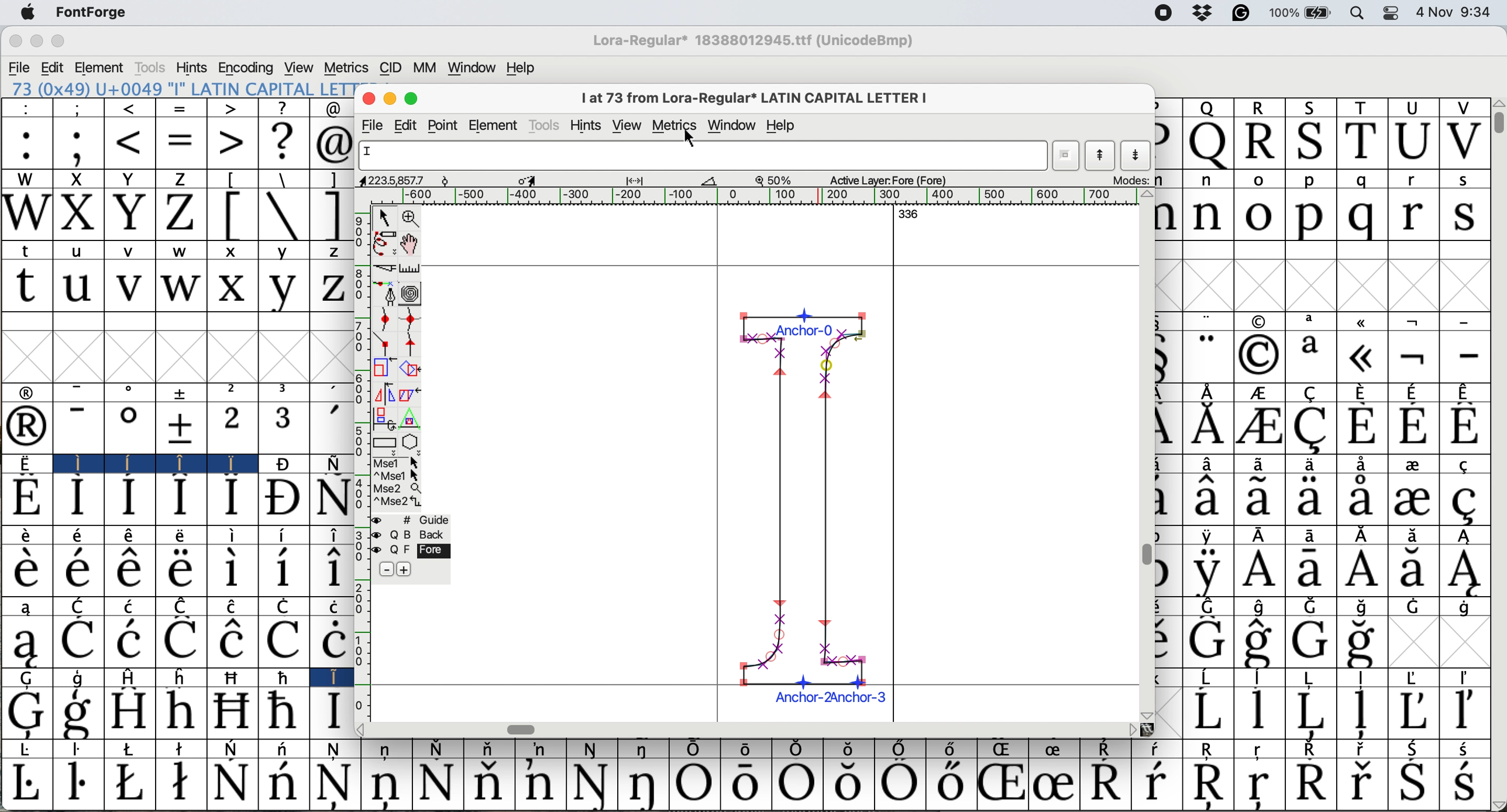  I want to click on Symbol, so click(1361, 713).